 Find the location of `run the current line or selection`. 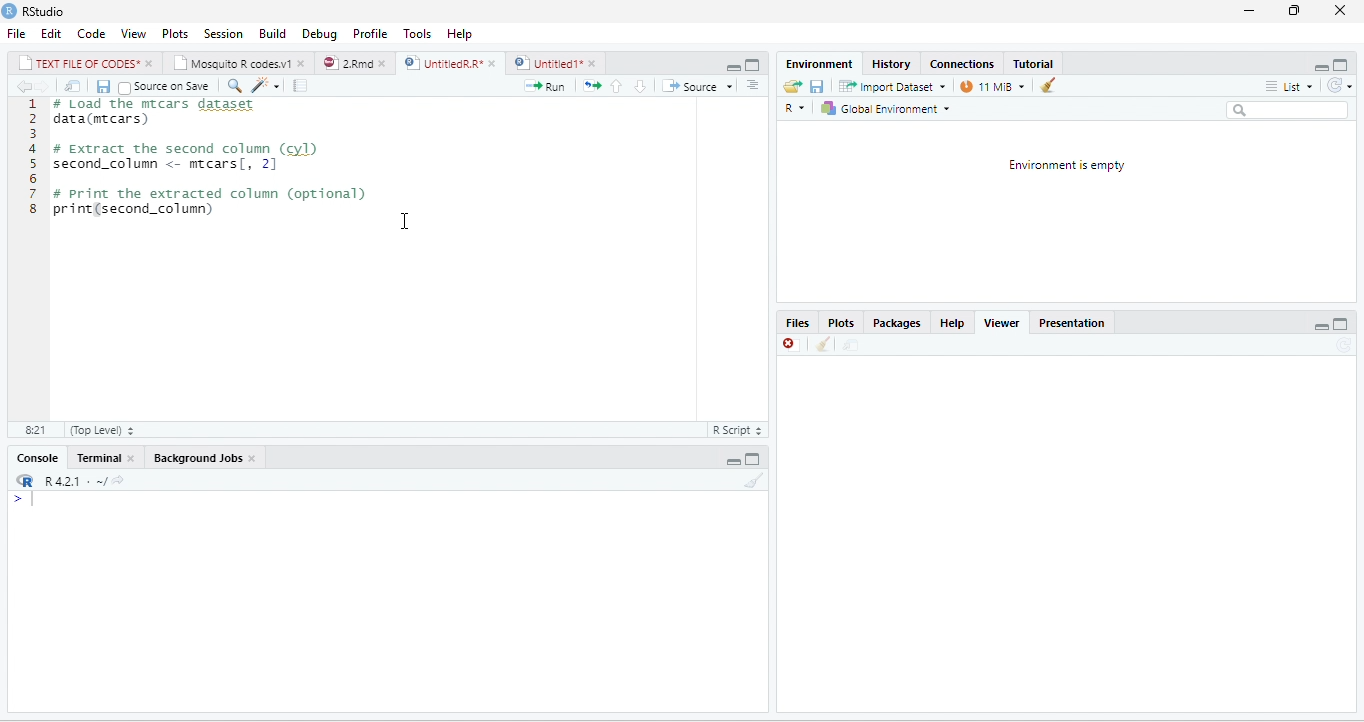

run the current line or selection is located at coordinates (544, 85).